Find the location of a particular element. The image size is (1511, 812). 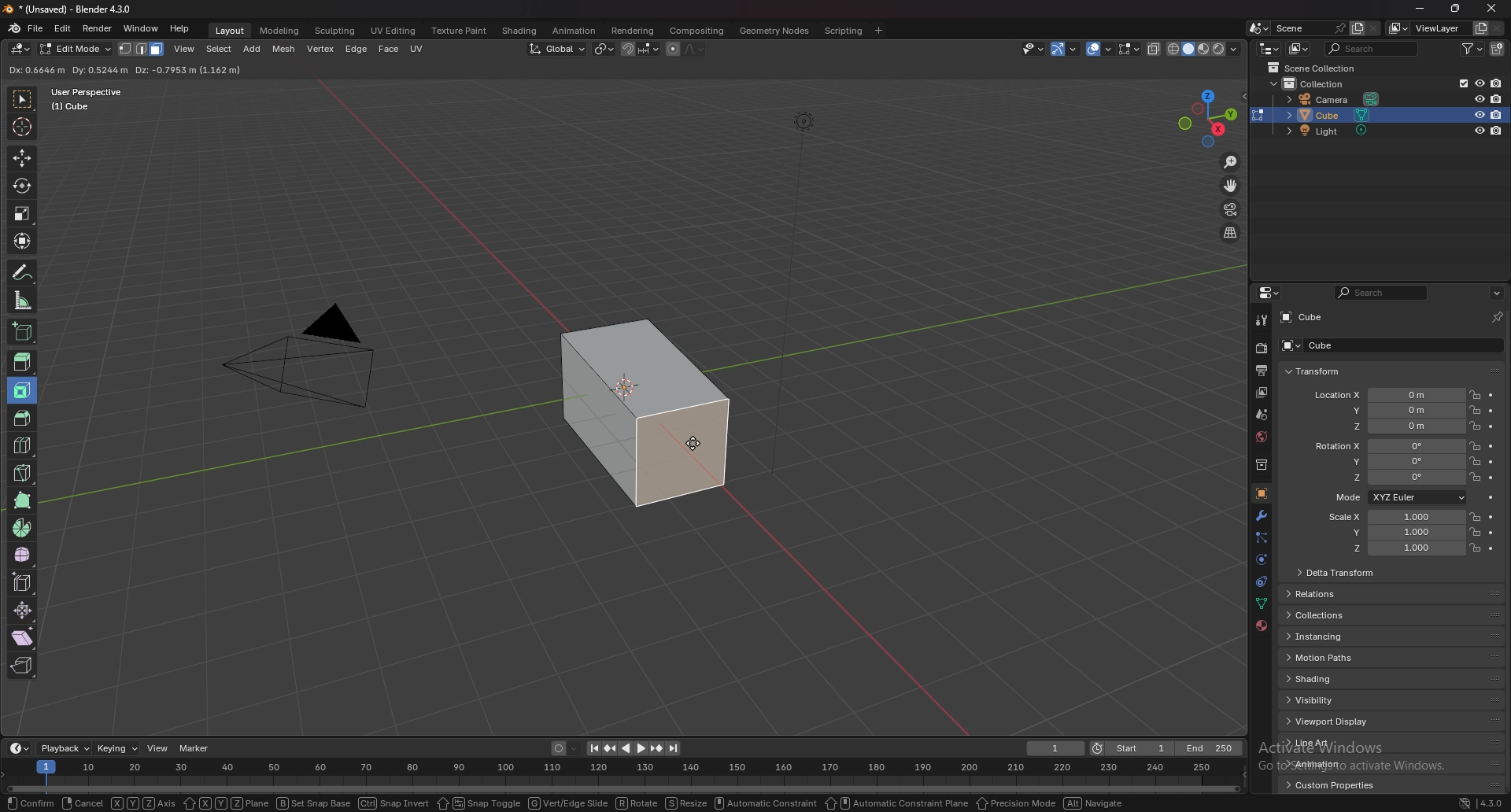

scene collection is located at coordinates (1313, 68).